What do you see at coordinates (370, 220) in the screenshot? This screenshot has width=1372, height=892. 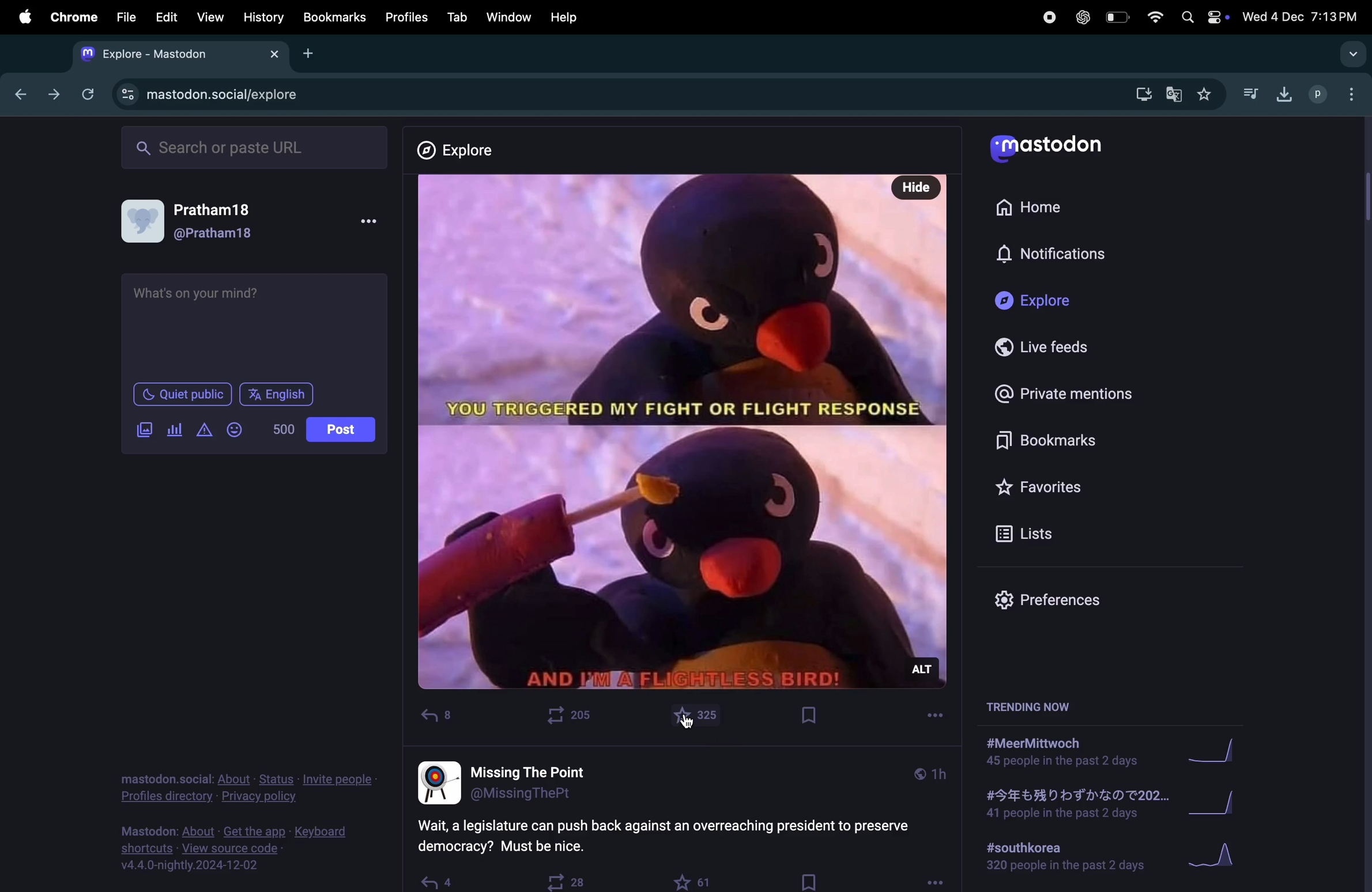 I see `more` at bounding box center [370, 220].